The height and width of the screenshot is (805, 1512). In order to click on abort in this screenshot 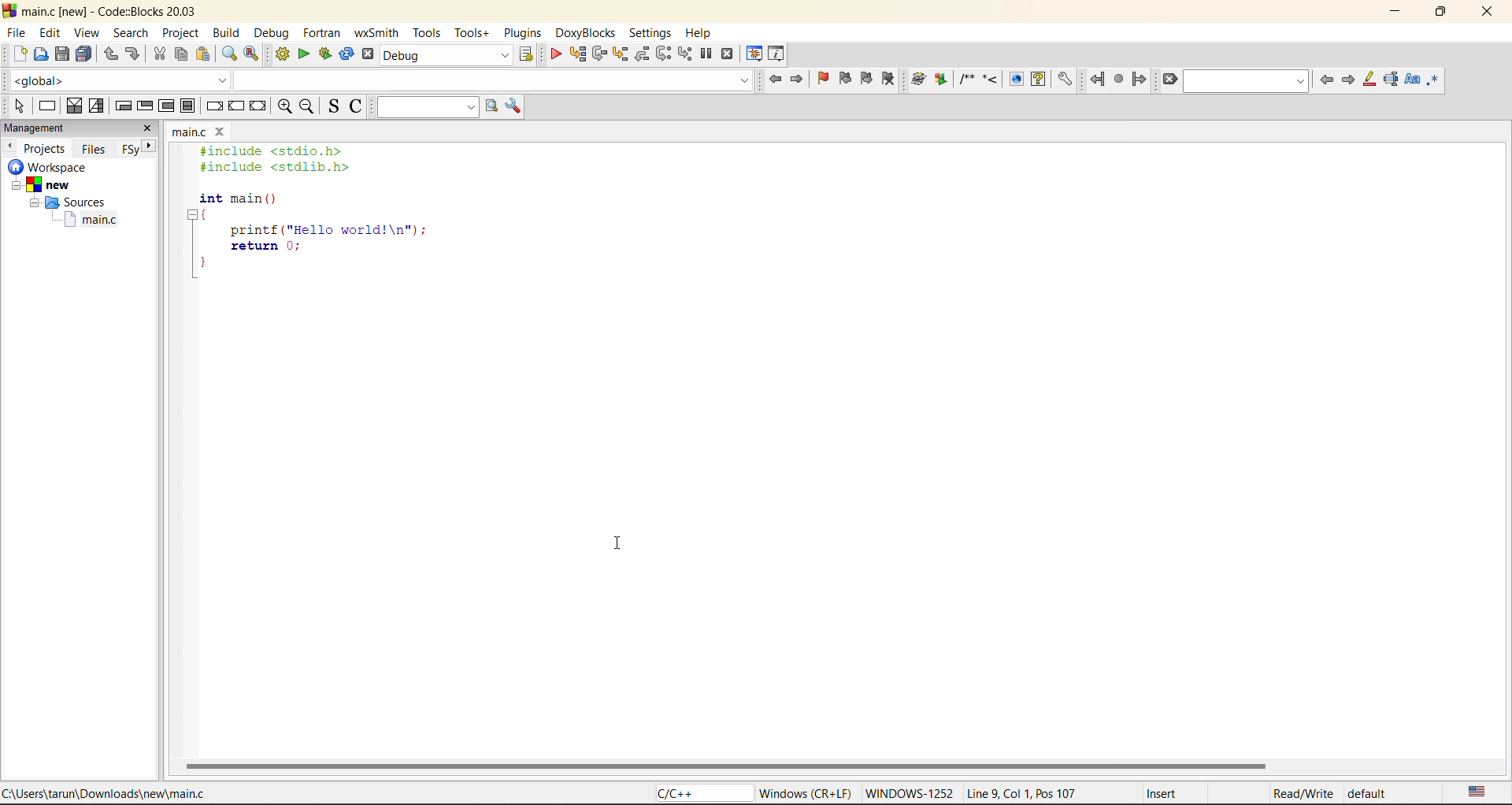, I will do `click(371, 54)`.